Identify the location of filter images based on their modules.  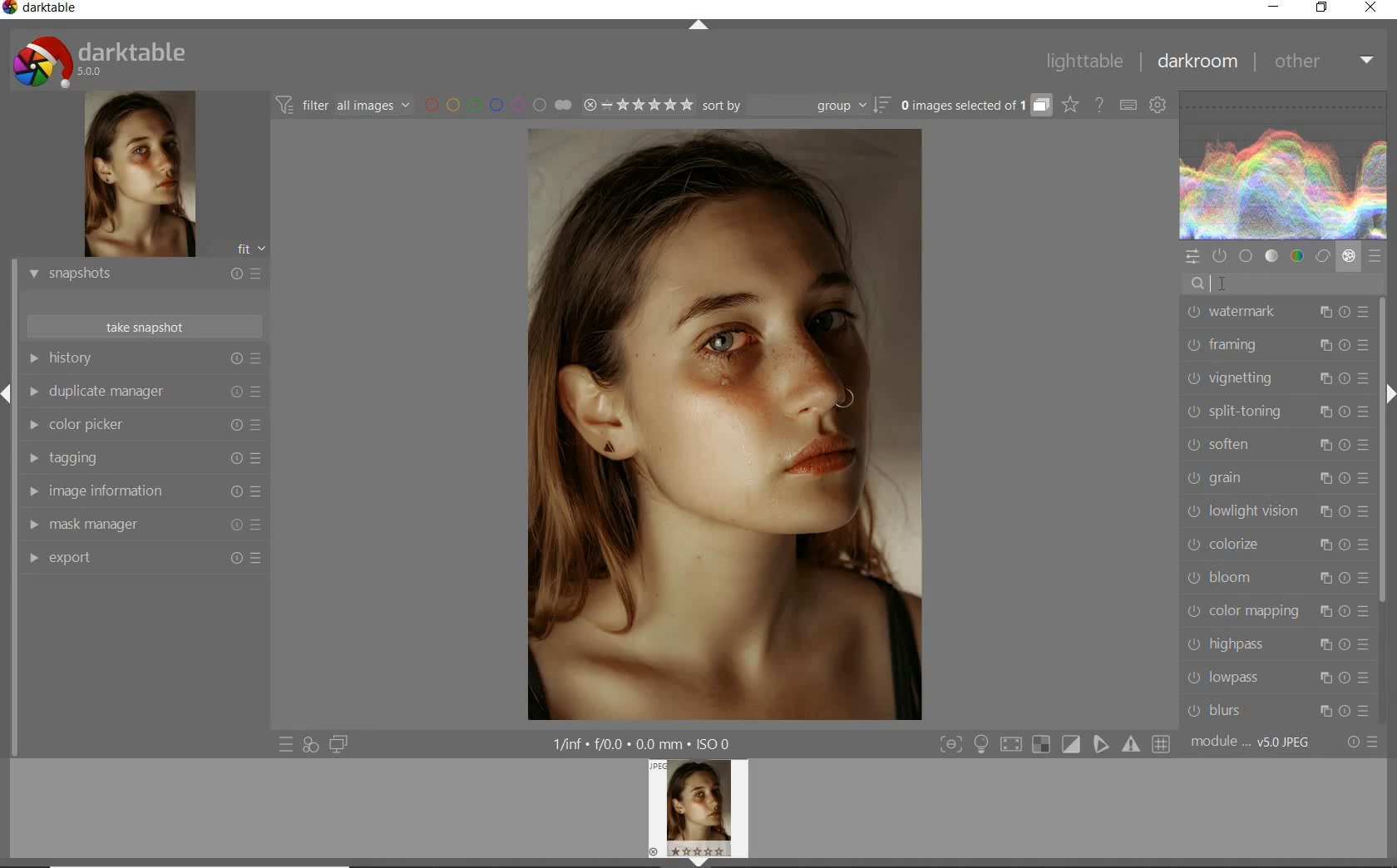
(343, 105).